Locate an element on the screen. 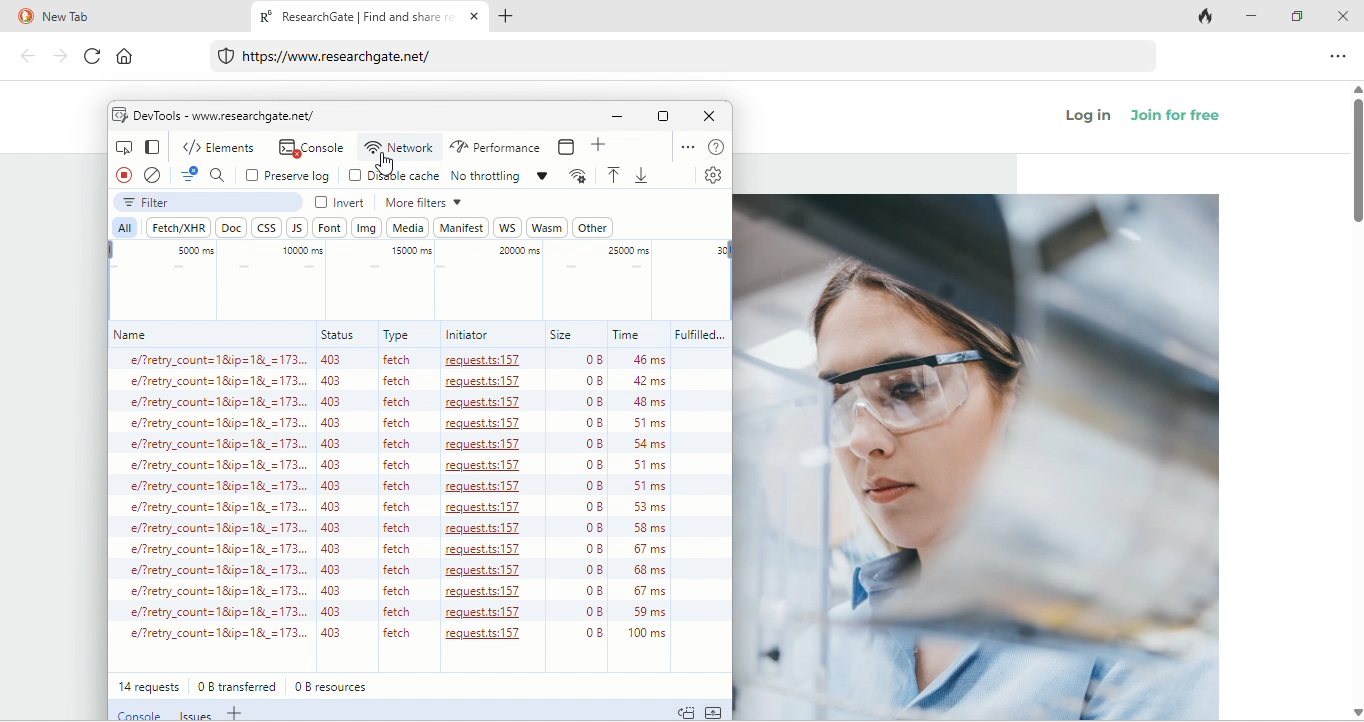  img is located at coordinates (367, 227).